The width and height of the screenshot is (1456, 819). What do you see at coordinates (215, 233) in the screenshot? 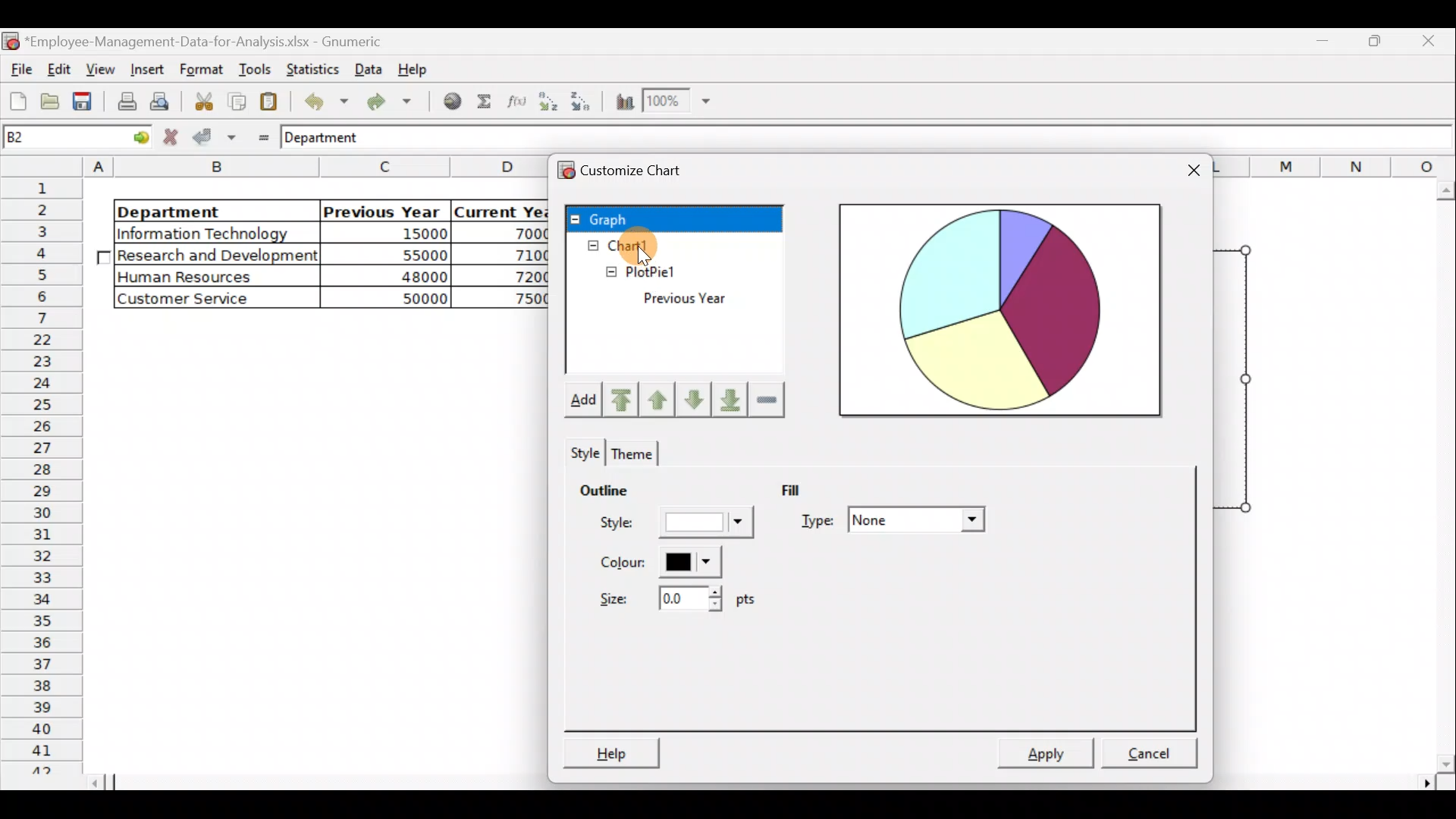
I see `|Information Technology` at bounding box center [215, 233].